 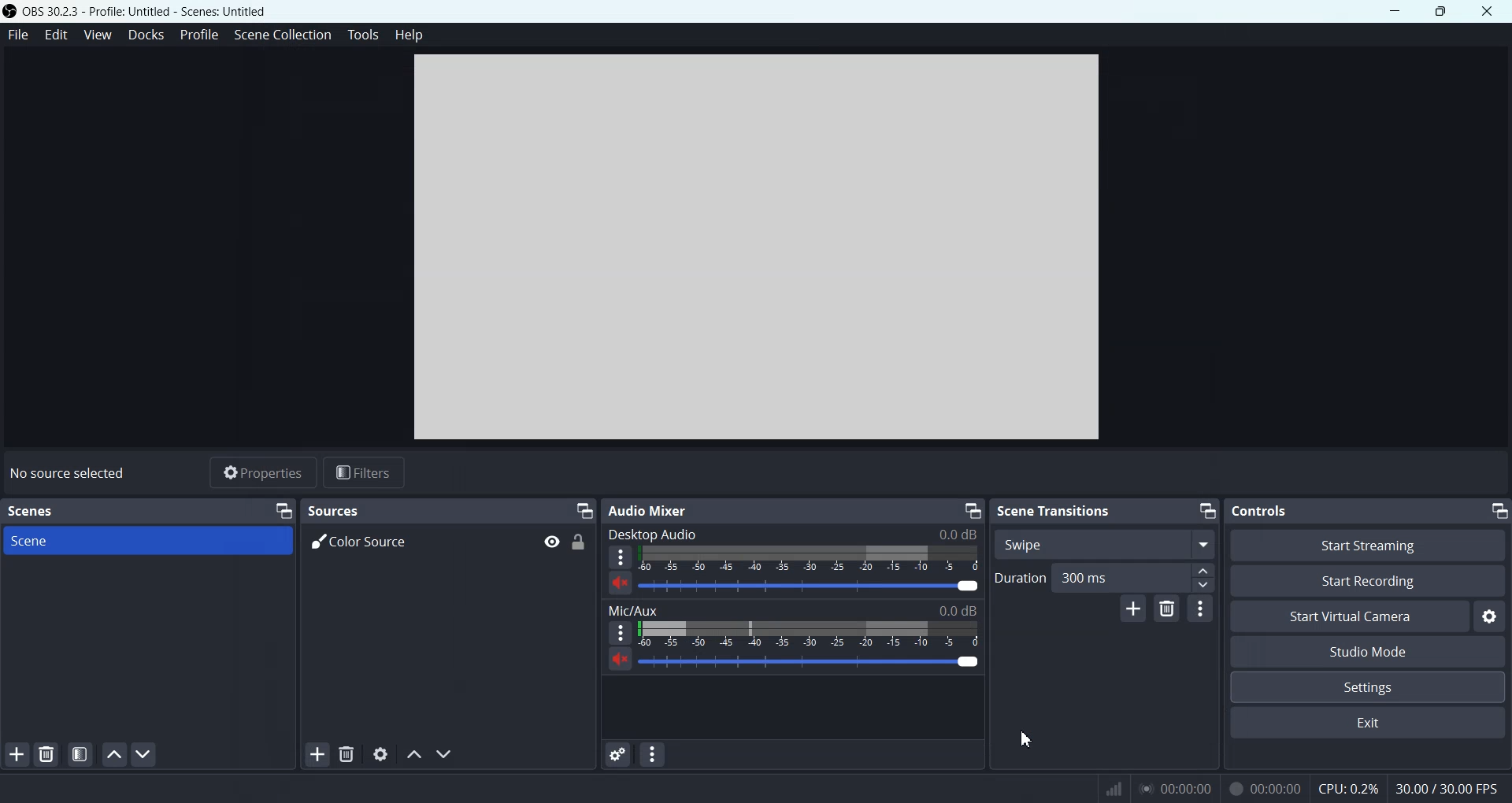 What do you see at coordinates (620, 631) in the screenshot?
I see `More` at bounding box center [620, 631].